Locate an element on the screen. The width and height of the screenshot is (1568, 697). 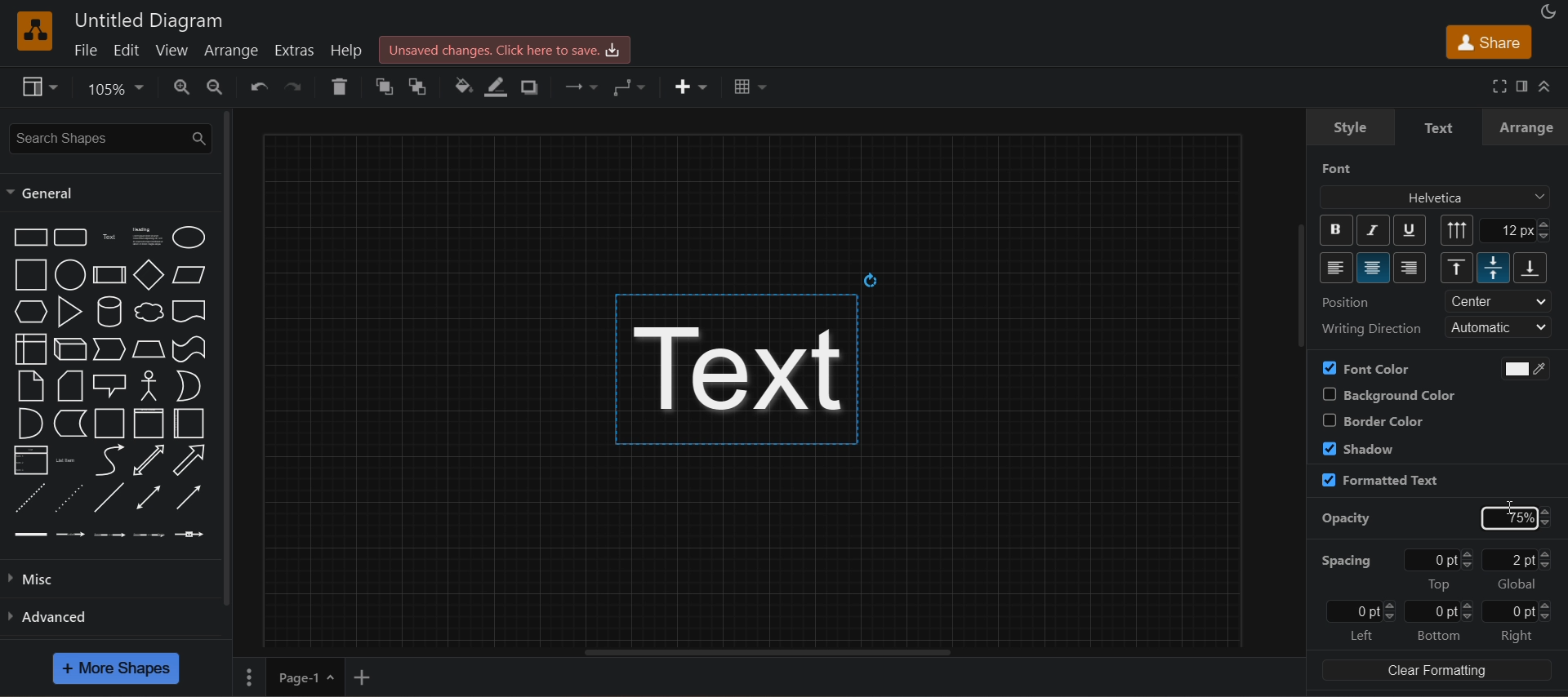
horizontal scroll bar is located at coordinates (752, 652).